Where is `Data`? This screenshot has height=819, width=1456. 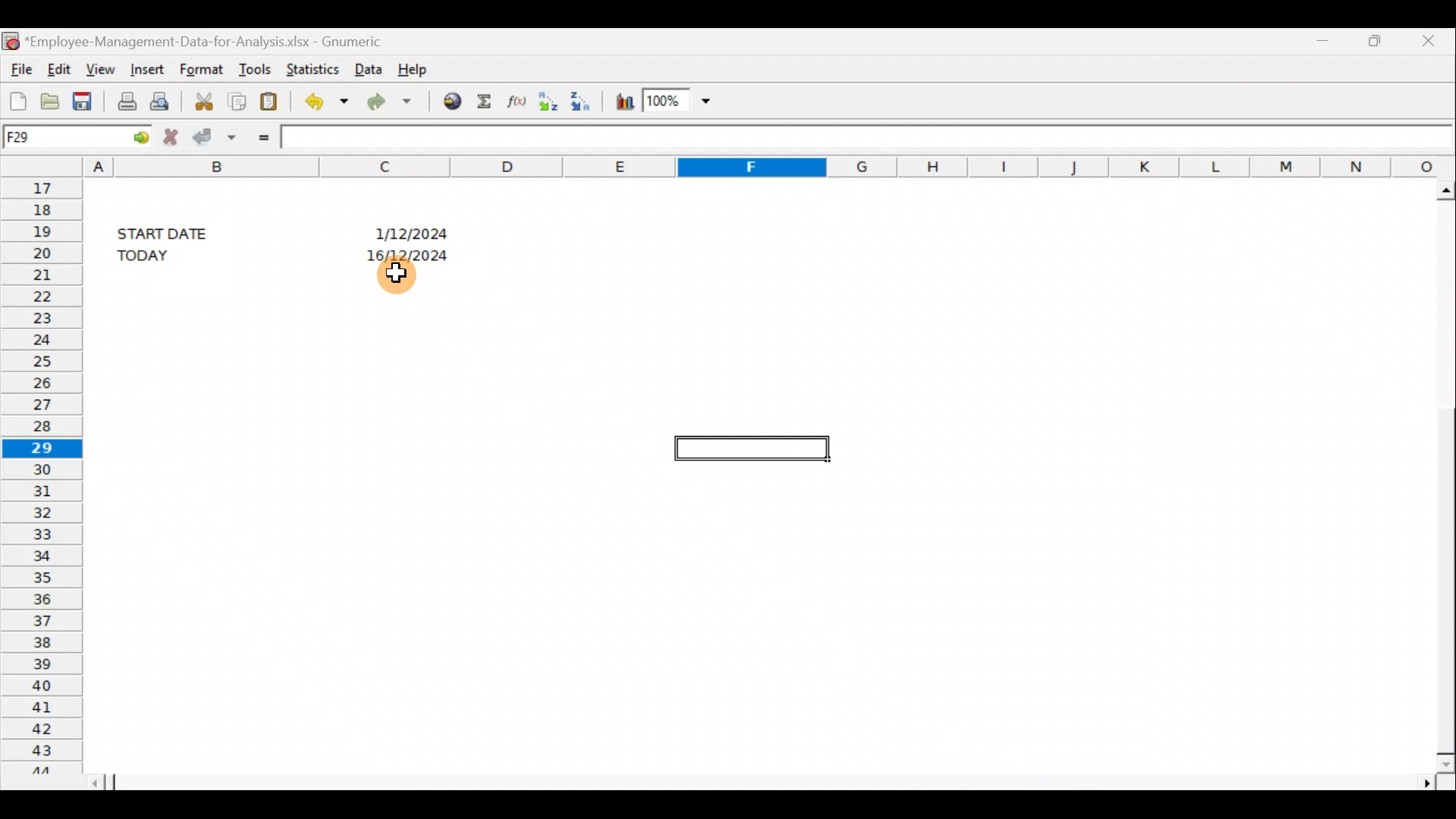 Data is located at coordinates (367, 70).